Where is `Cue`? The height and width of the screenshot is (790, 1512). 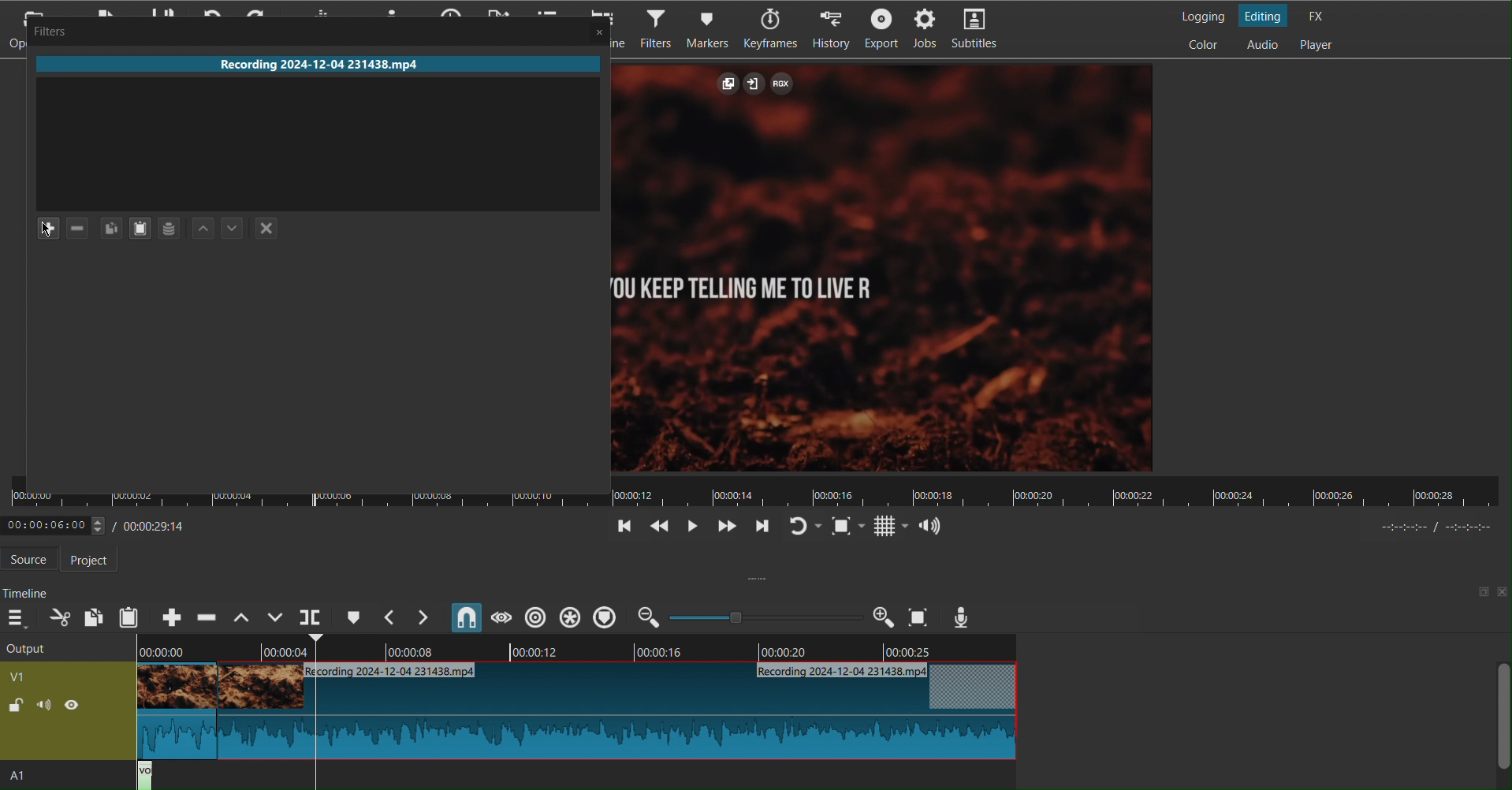
Cue is located at coordinates (353, 617).